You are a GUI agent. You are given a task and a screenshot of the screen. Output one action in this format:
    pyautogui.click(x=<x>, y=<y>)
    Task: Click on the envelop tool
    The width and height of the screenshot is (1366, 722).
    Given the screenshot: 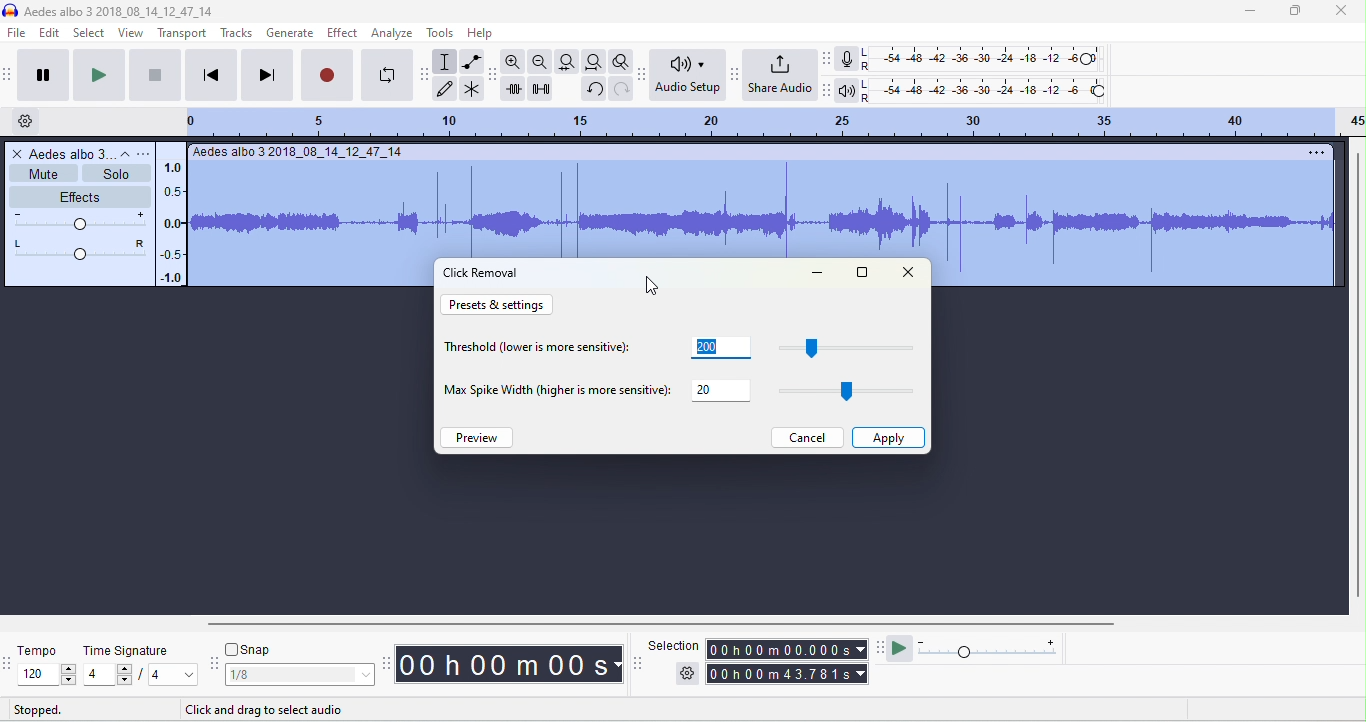 What is the action you would take?
    pyautogui.click(x=472, y=62)
    